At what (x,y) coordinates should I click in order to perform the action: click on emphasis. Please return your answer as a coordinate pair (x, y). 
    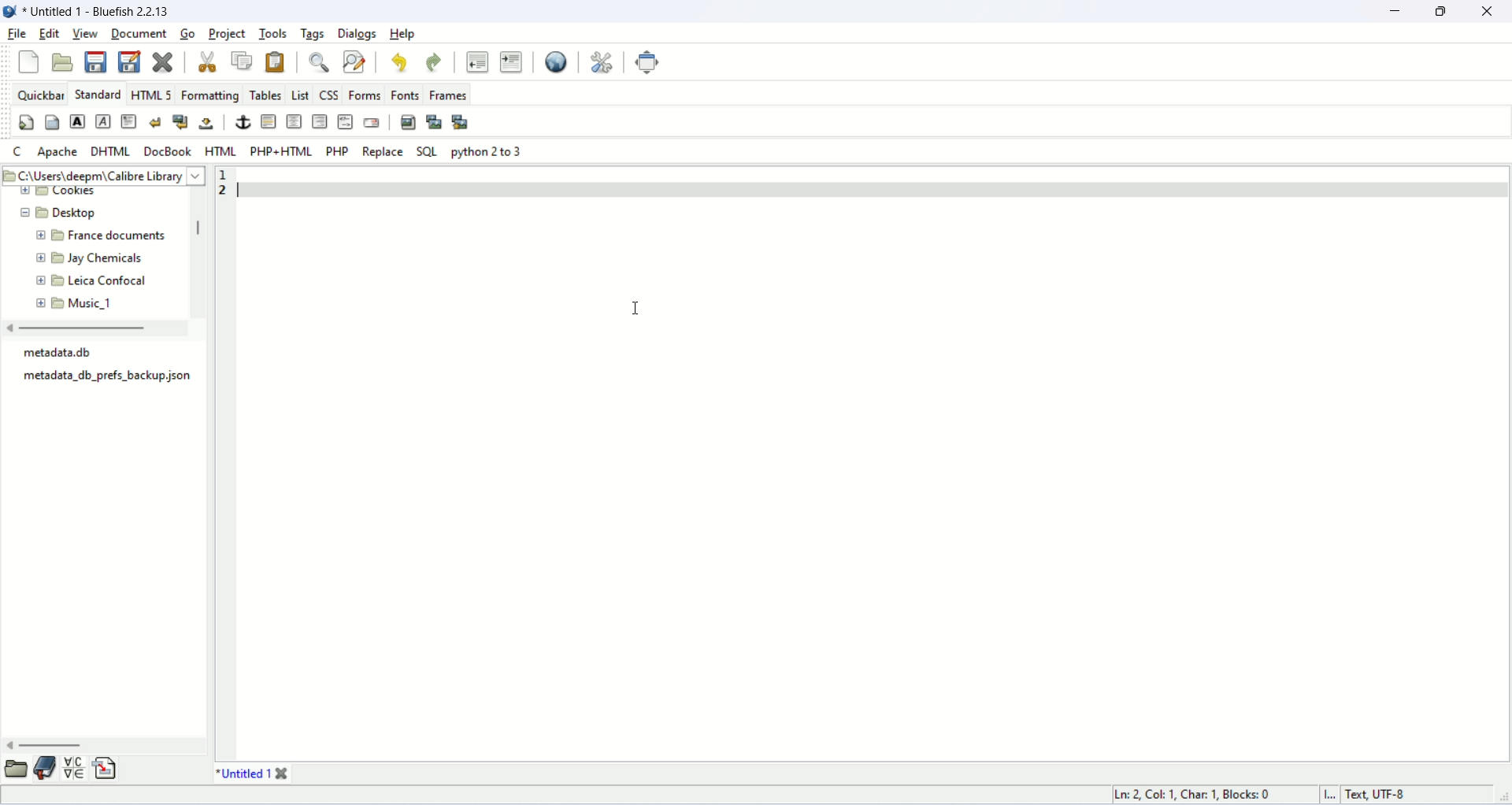
    Looking at the image, I should click on (100, 121).